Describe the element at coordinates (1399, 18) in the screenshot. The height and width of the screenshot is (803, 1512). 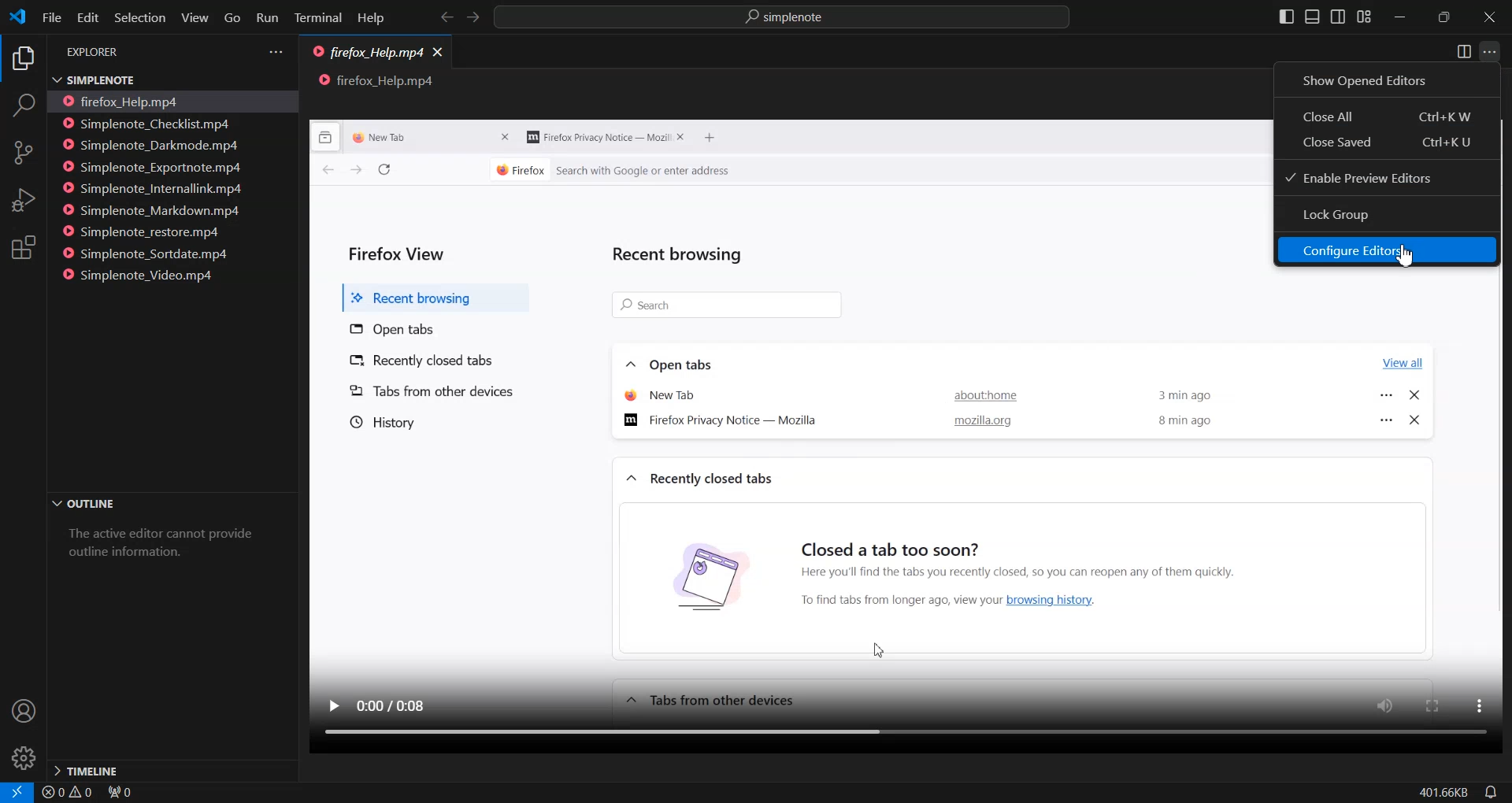
I see `Minimize` at that location.